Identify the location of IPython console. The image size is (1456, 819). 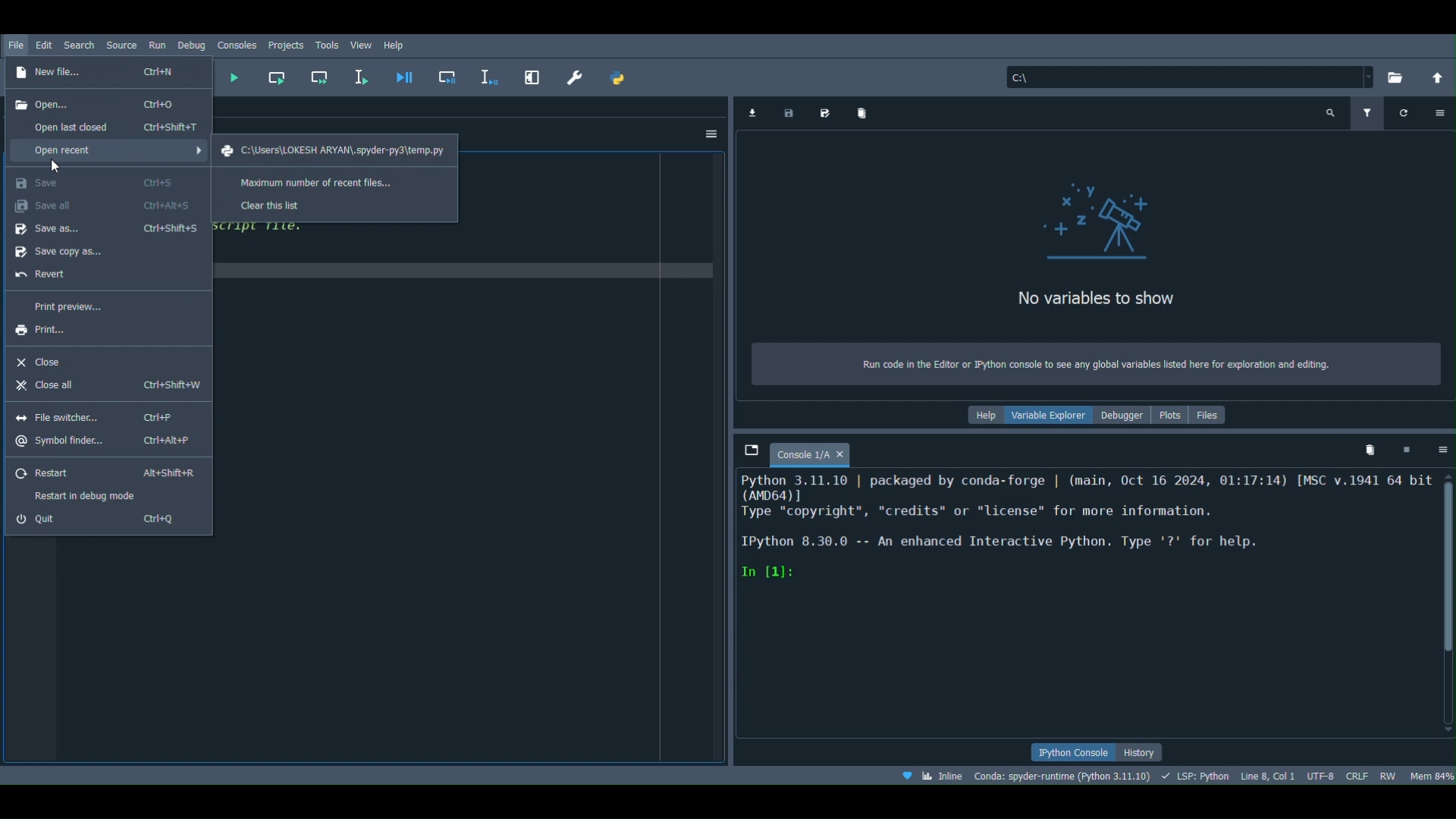
(1070, 752).